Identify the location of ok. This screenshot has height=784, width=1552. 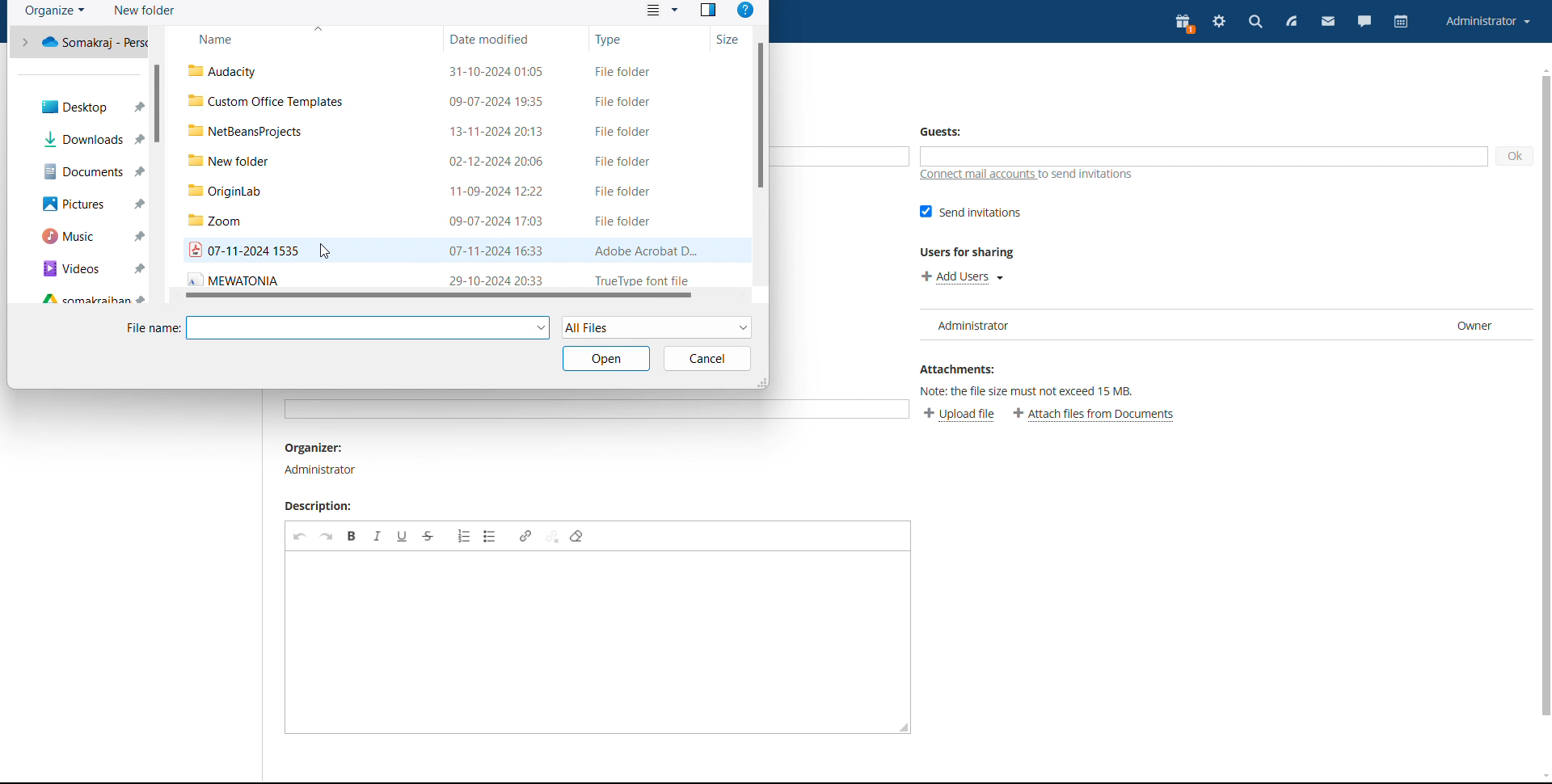
(1513, 157).